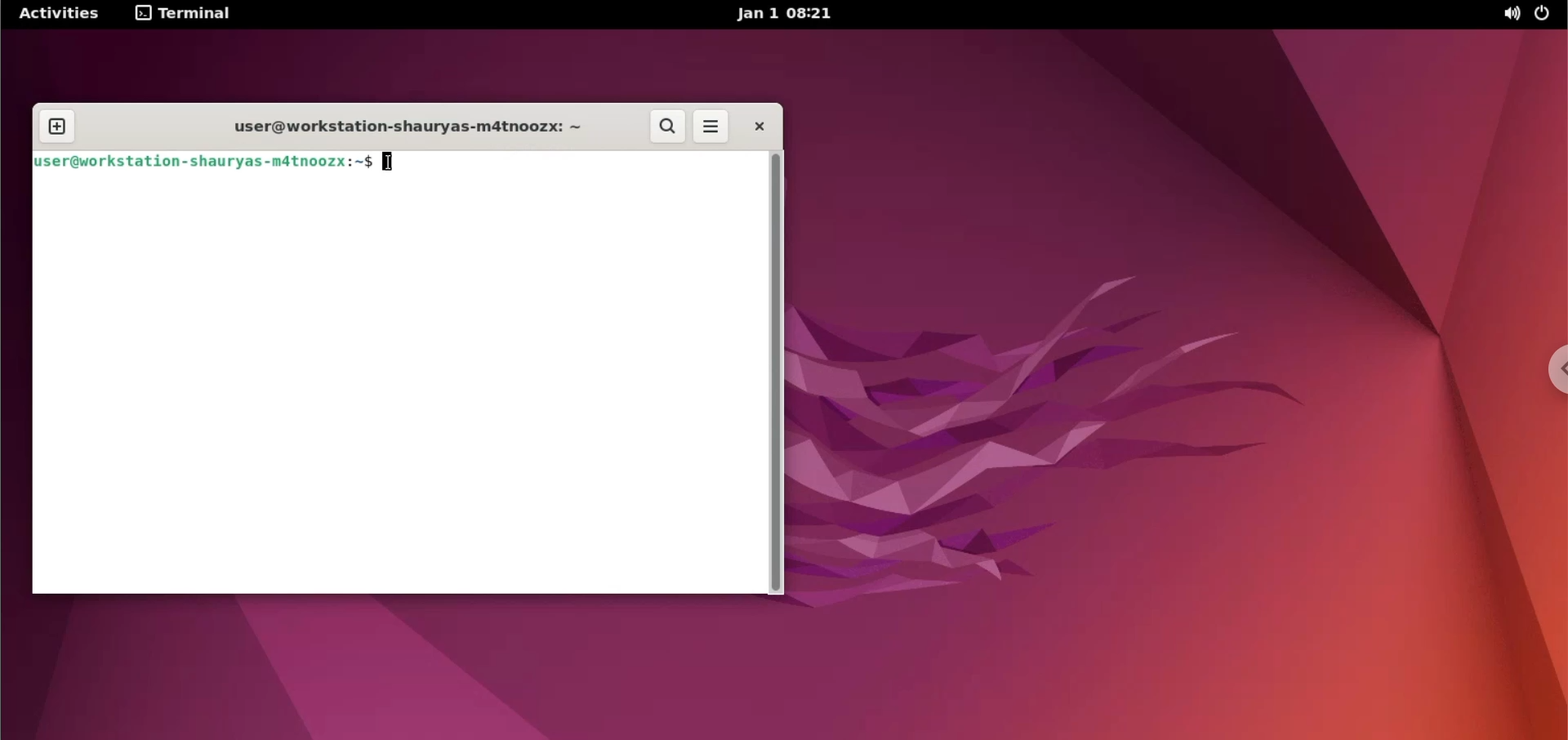 This screenshot has height=740, width=1568. Describe the element at coordinates (408, 127) in the screenshot. I see `user@workstation-shauryas-m4tnoozx: ~` at that location.